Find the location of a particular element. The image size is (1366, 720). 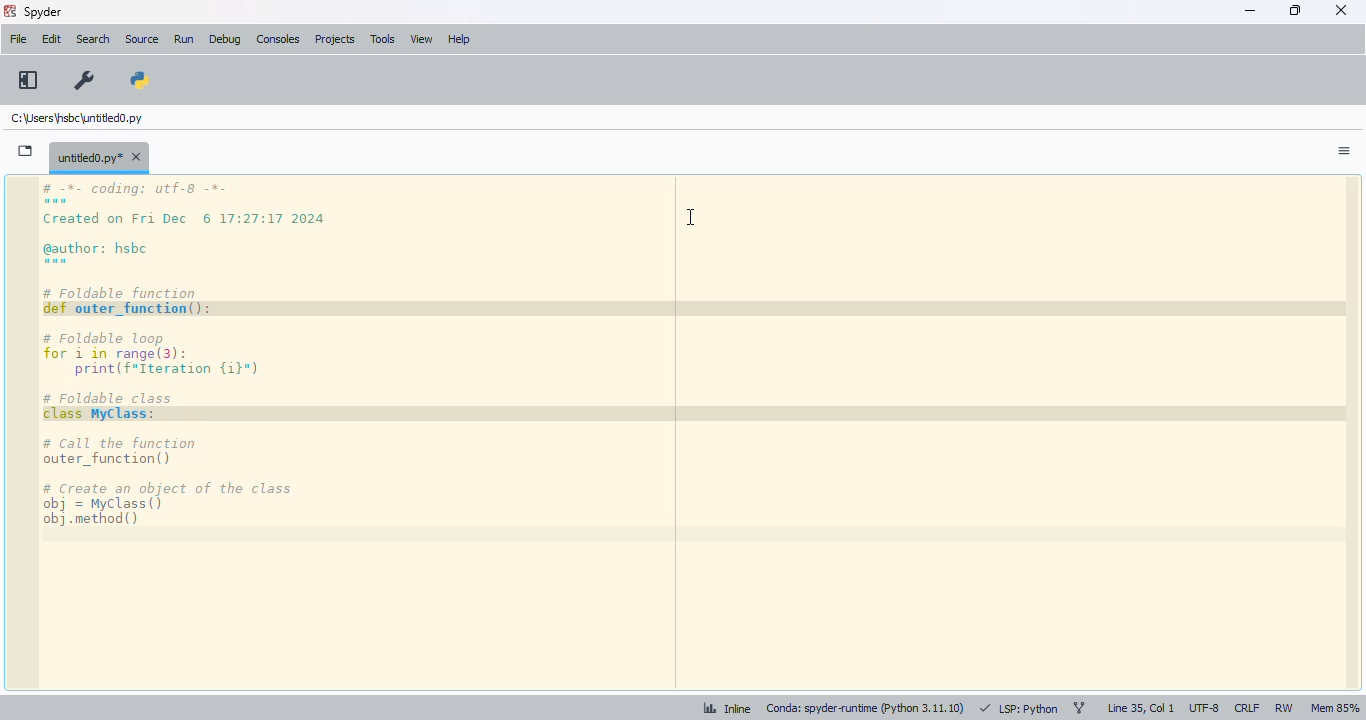

options is located at coordinates (1345, 151).